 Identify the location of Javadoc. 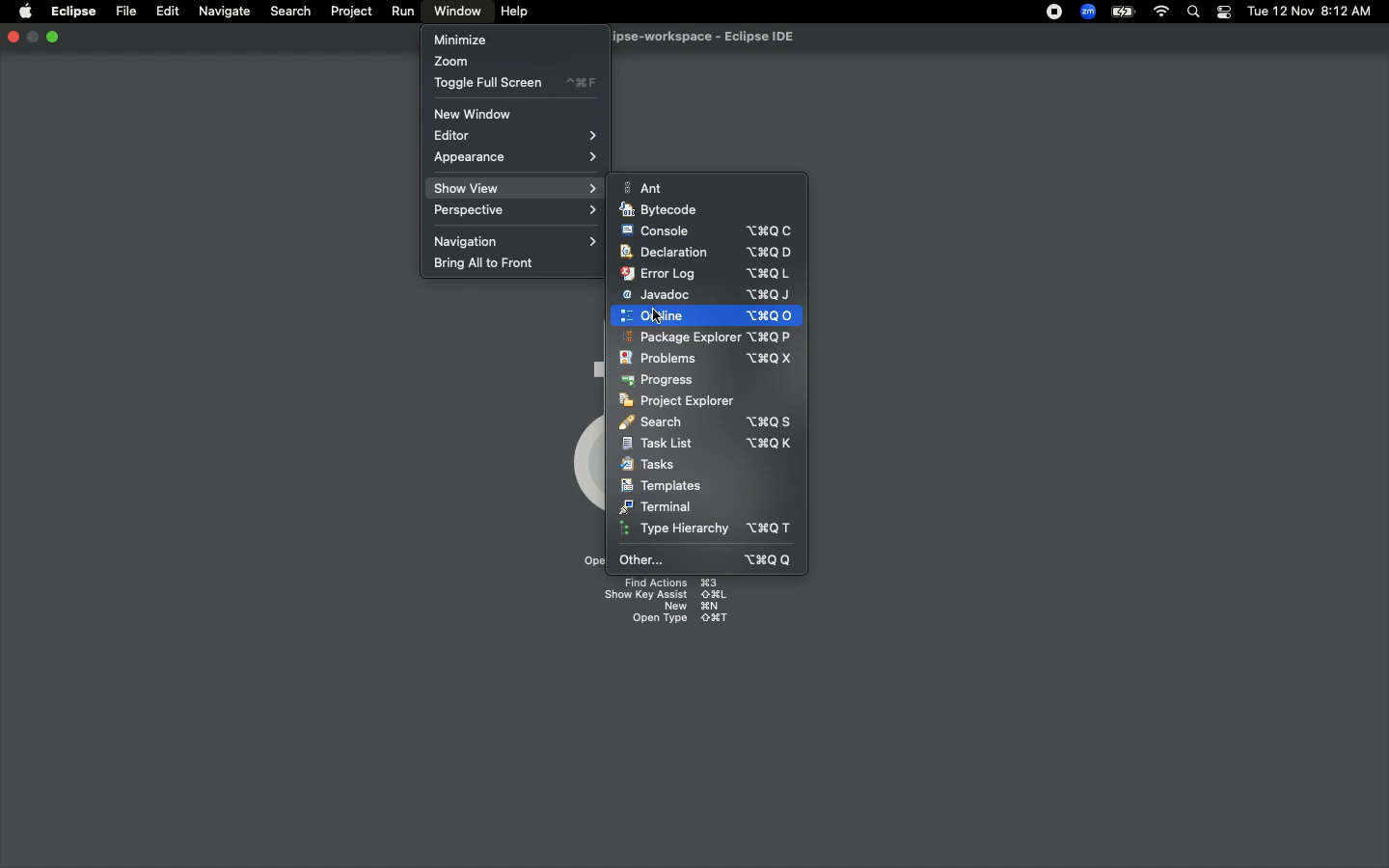
(707, 296).